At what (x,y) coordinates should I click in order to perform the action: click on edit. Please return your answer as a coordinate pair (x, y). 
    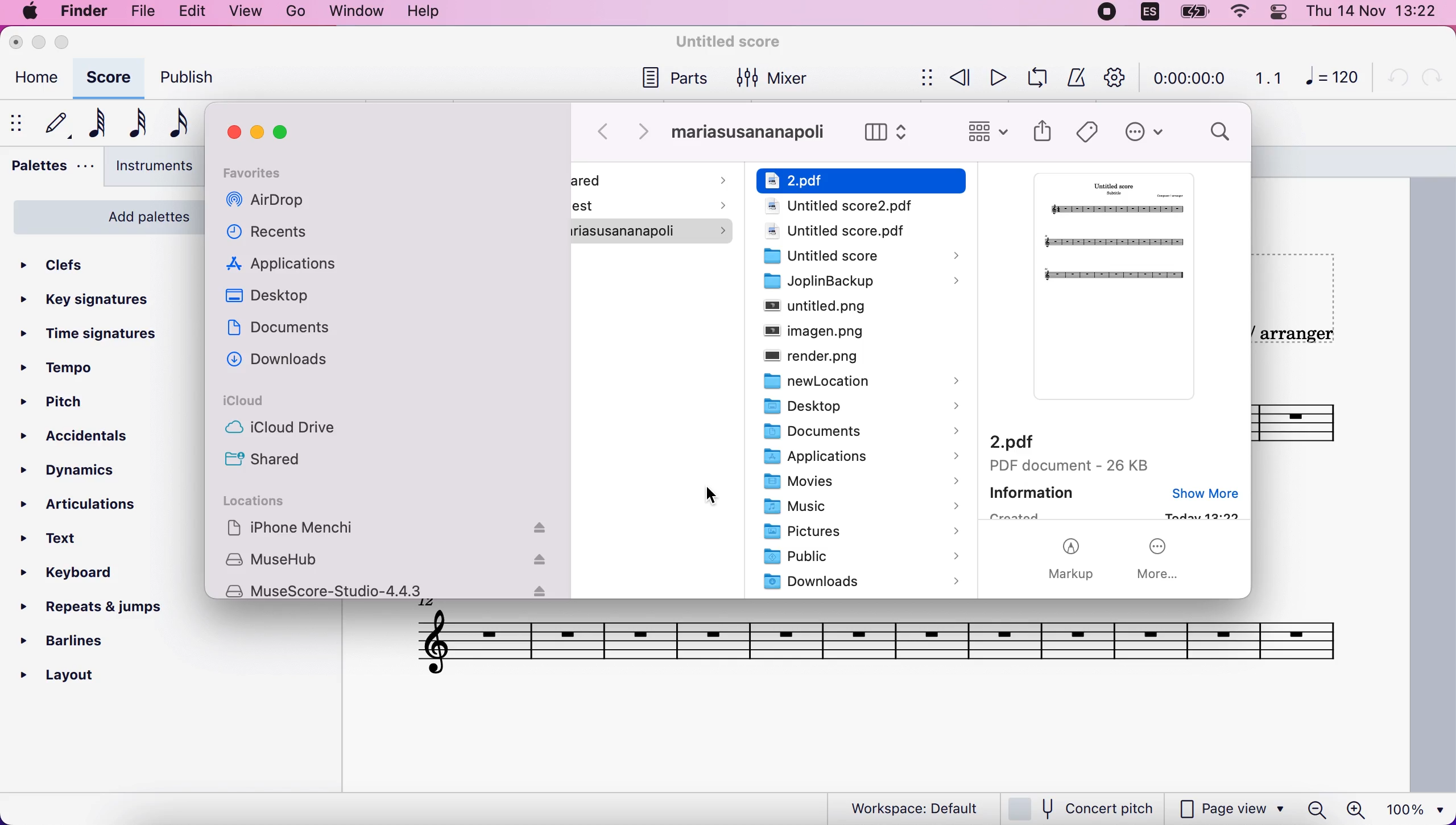
    Looking at the image, I should click on (197, 13).